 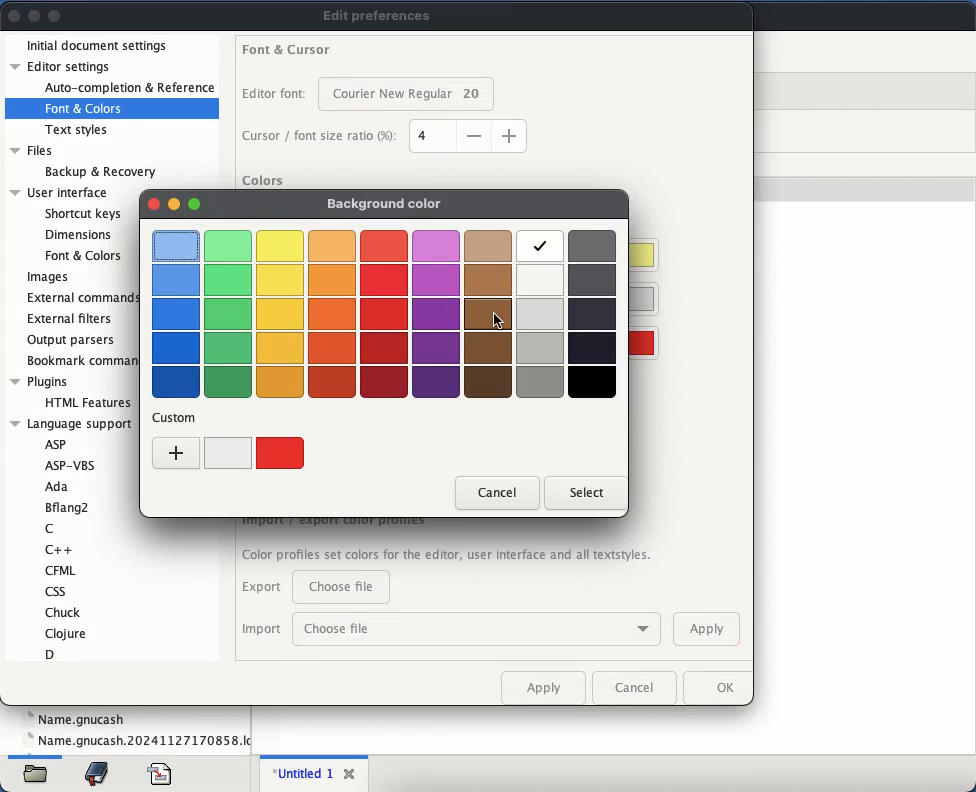 What do you see at coordinates (83, 363) in the screenshot?
I see `bookmark commands` at bounding box center [83, 363].